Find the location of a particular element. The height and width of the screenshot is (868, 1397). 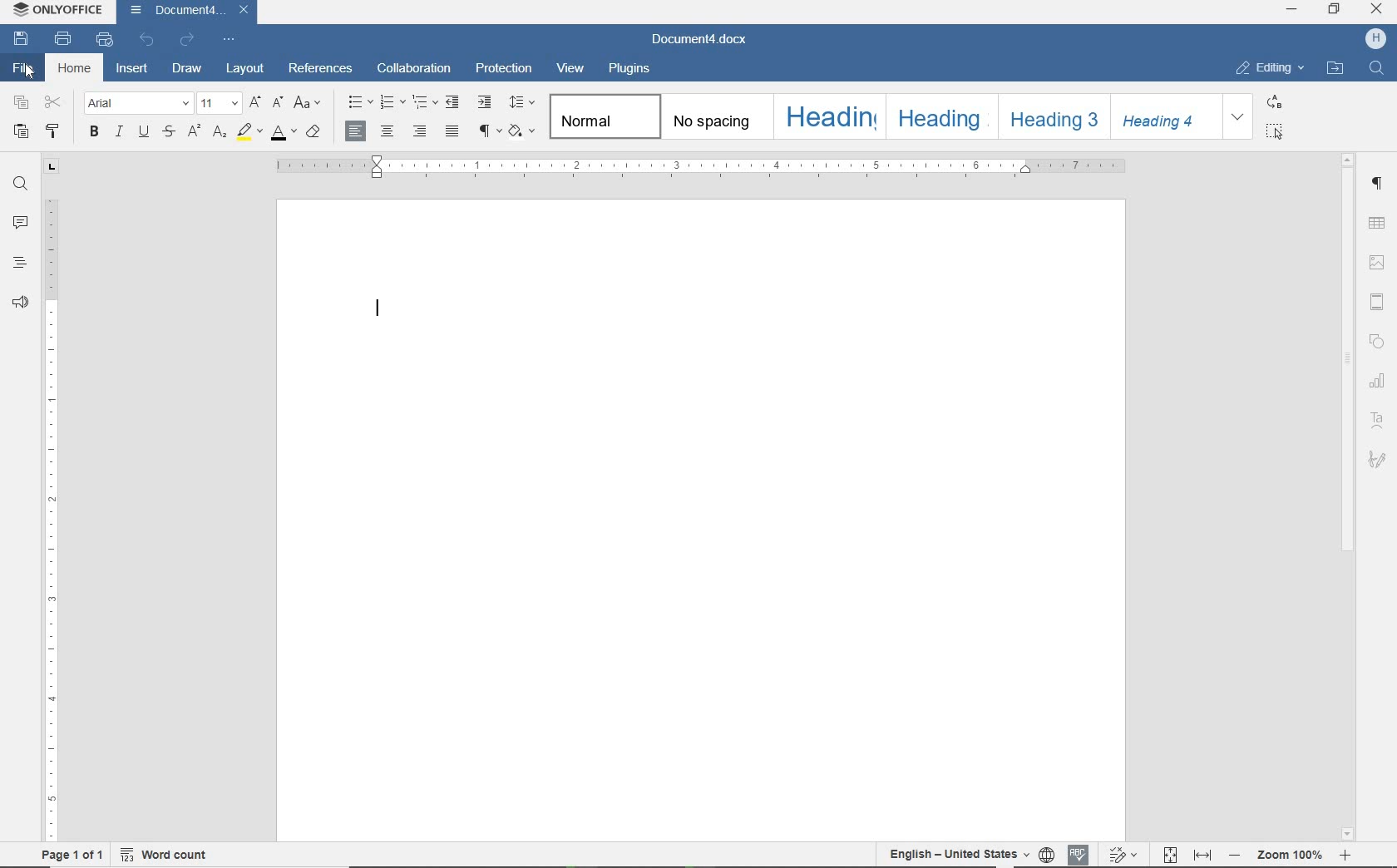

plugins is located at coordinates (628, 71).